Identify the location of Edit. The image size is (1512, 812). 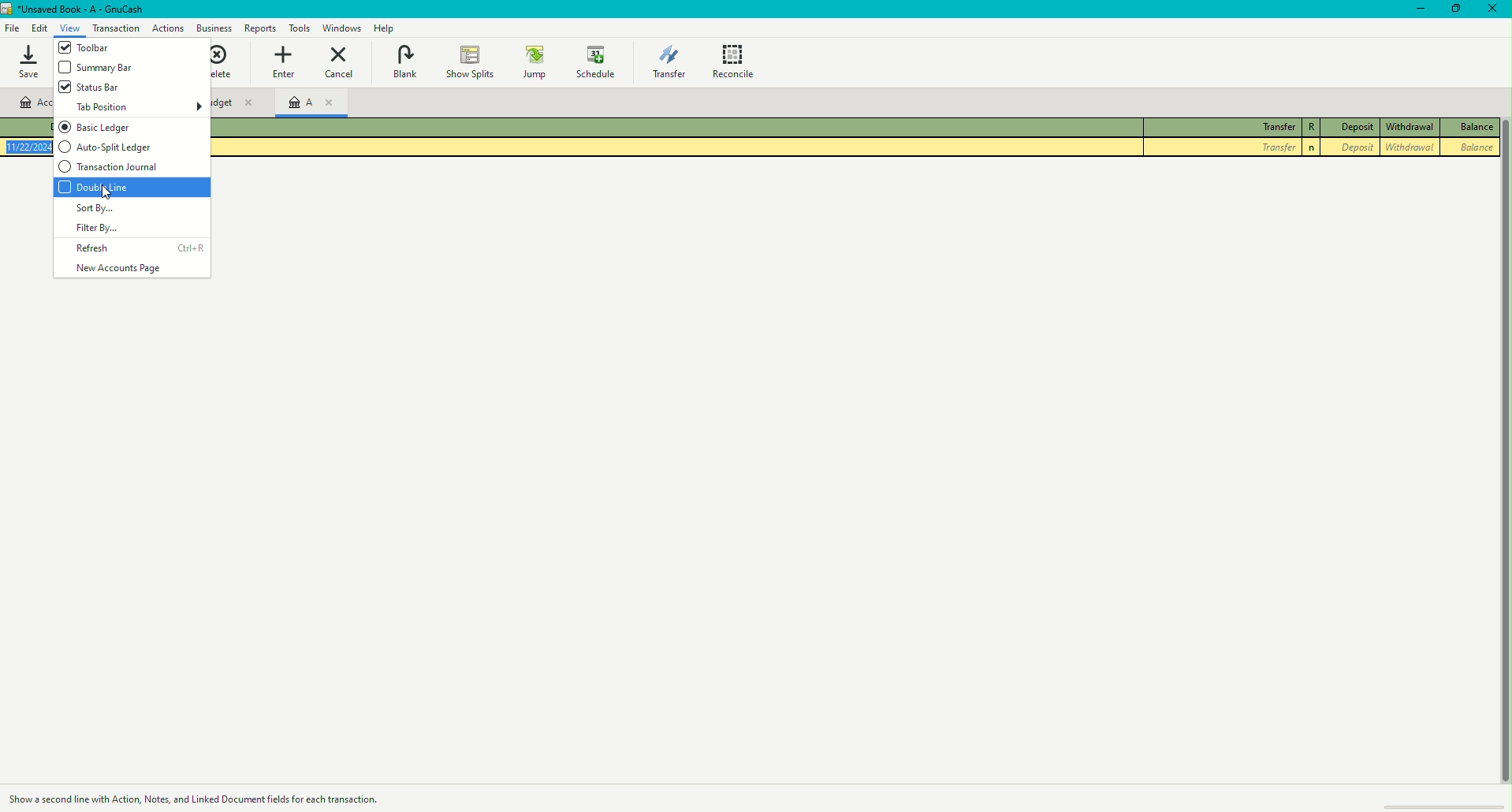
(41, 28).